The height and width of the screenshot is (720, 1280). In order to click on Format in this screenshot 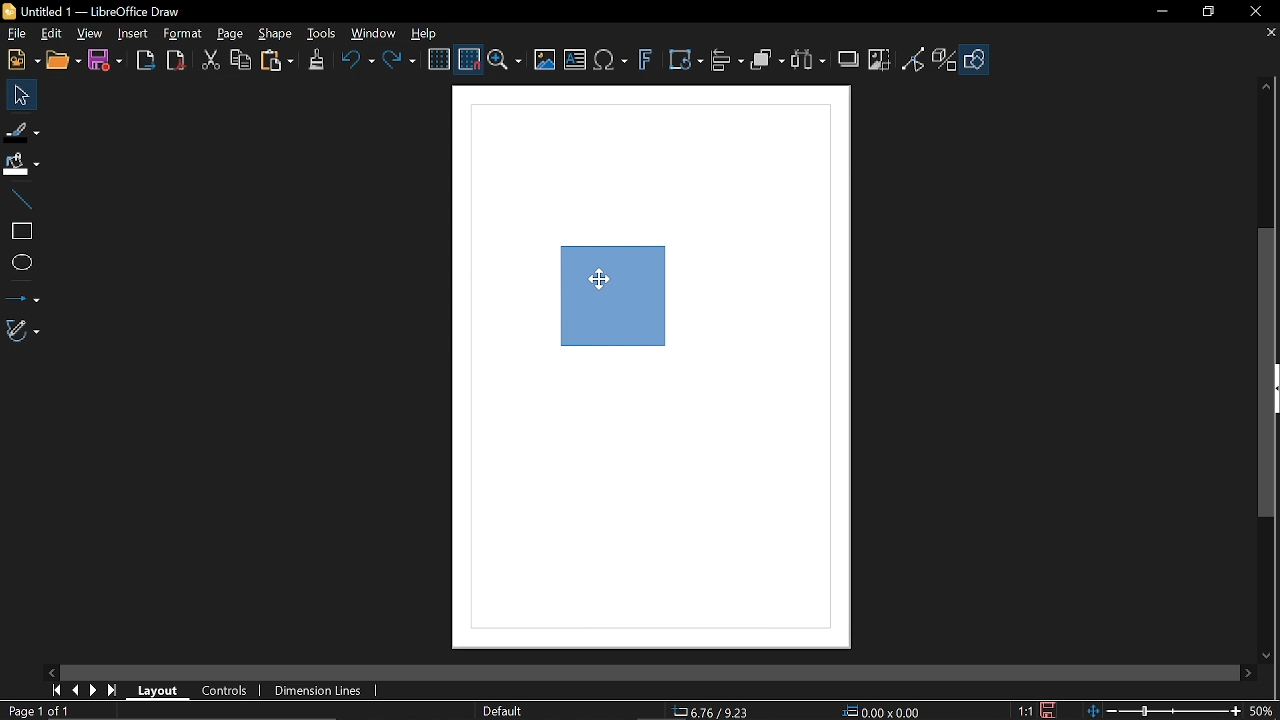, I will do `click(182, 34)`.